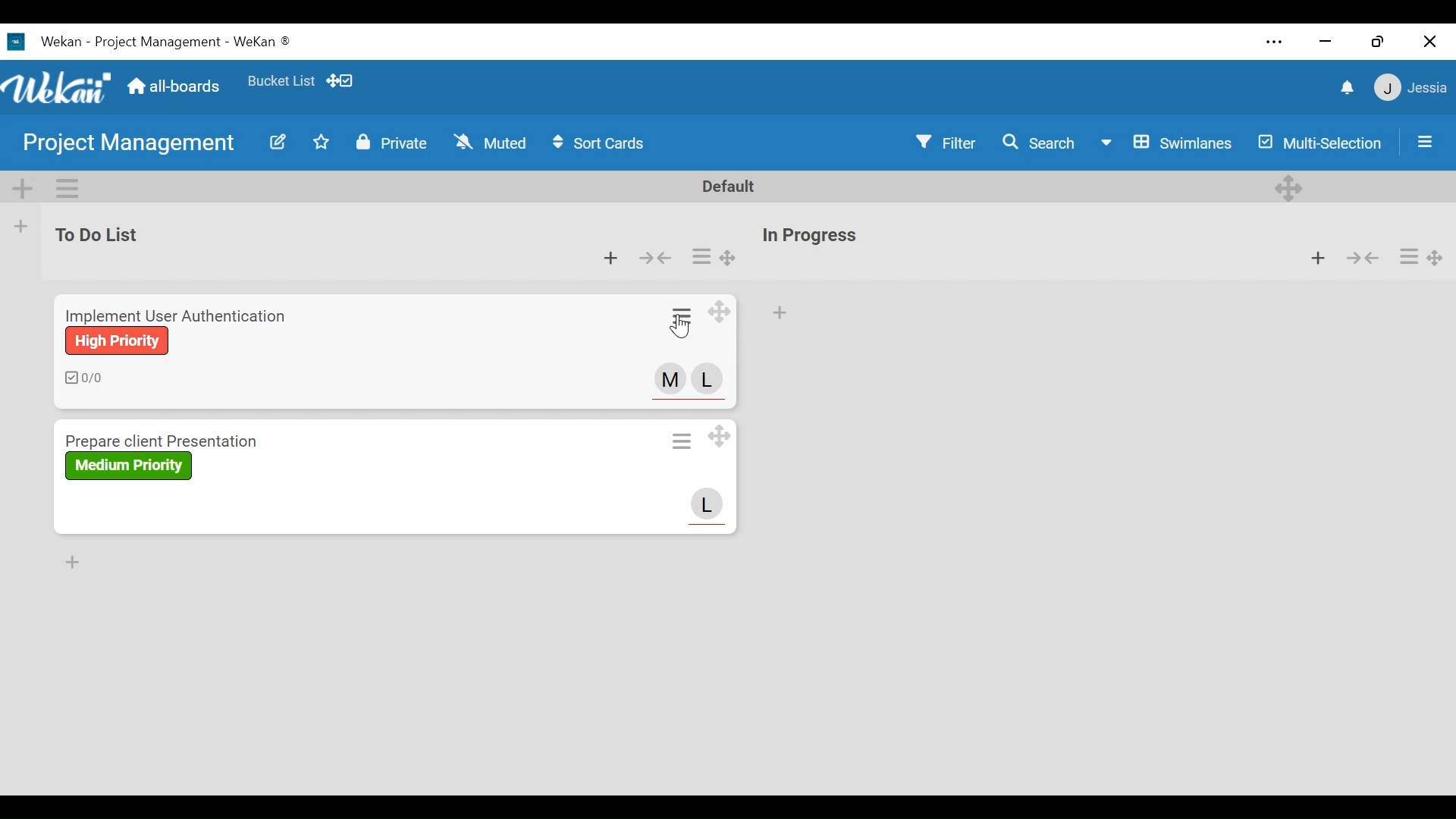 Image resolution: width=1456 pixels, height=819 pixels. I want to click on all-boards, so click(180, 88).